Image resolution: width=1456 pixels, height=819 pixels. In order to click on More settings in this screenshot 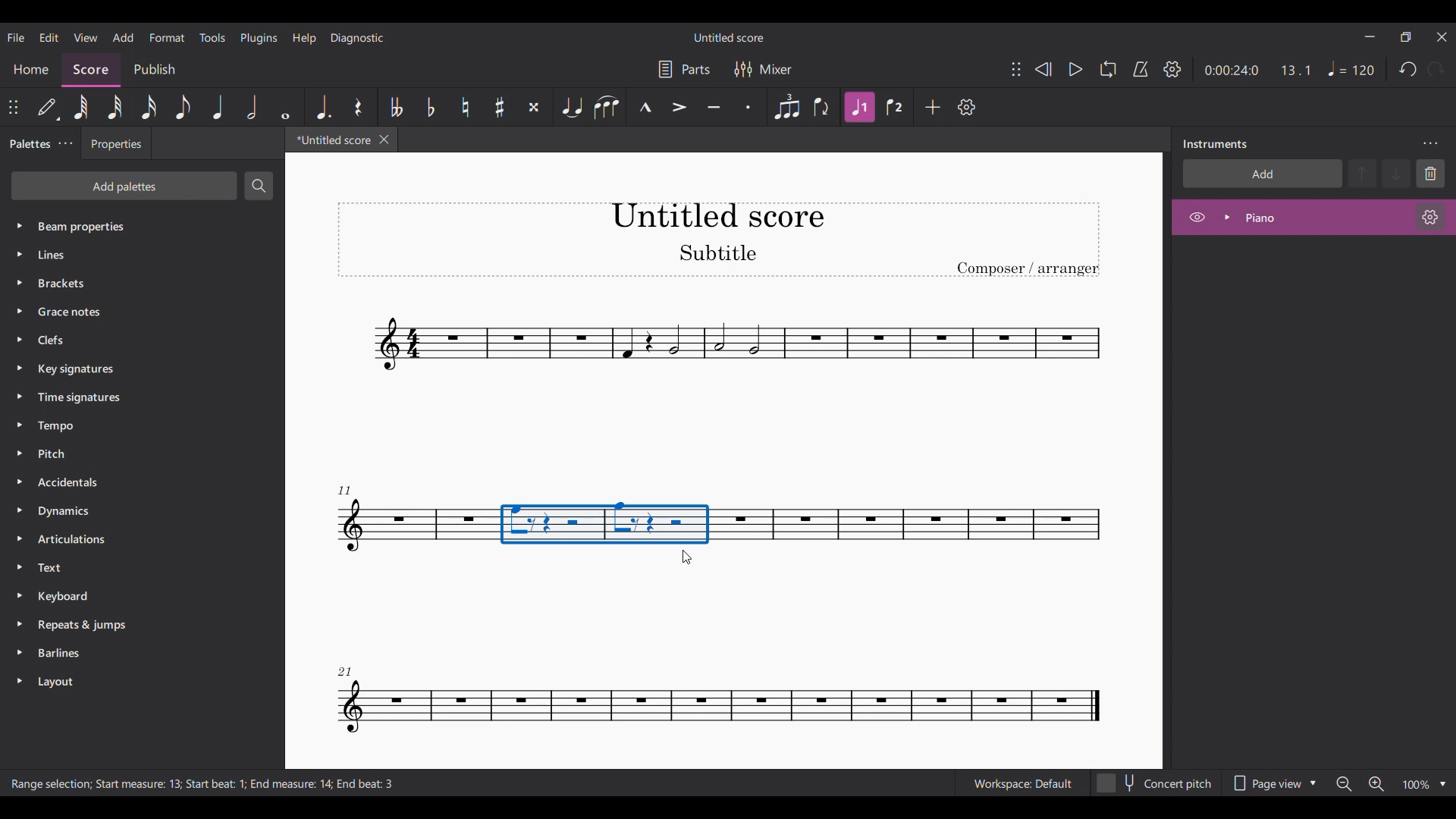, I will do `click(65, 144)`.